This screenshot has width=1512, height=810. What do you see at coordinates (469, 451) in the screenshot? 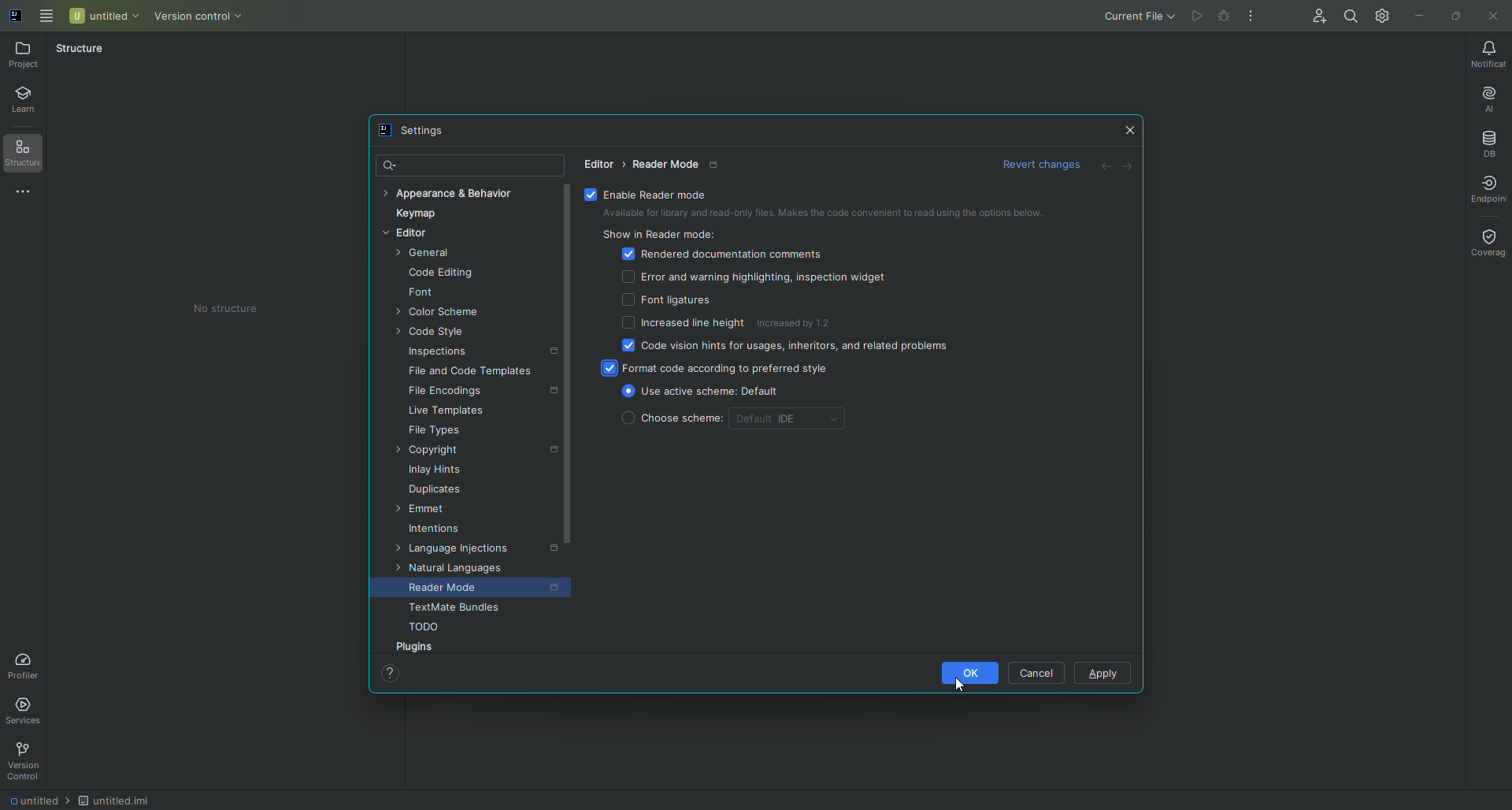
I see `Copyright` at bounding box center [469, 451].